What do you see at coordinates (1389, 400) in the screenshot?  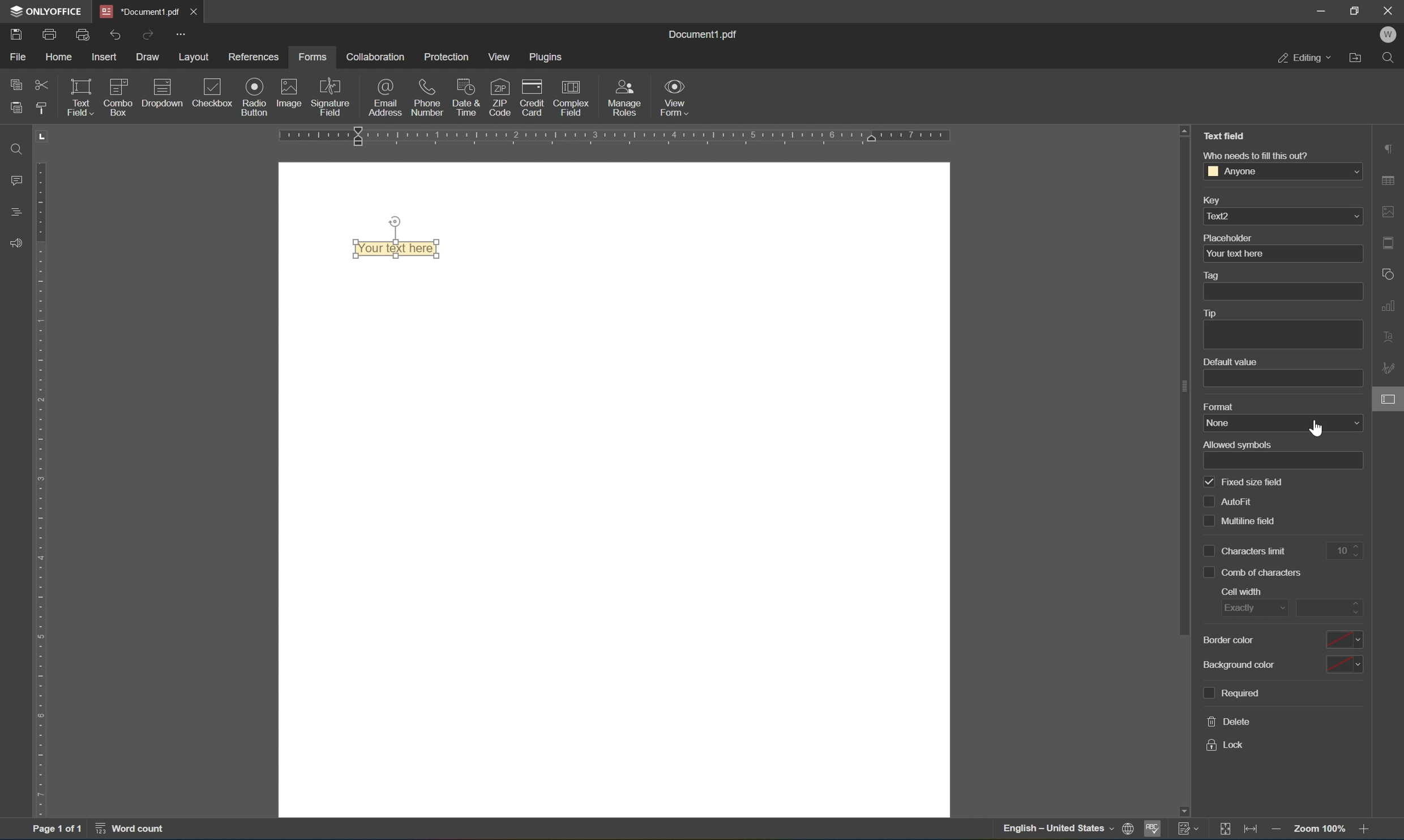 I see `form settings` at bounding box center [1389, 400].